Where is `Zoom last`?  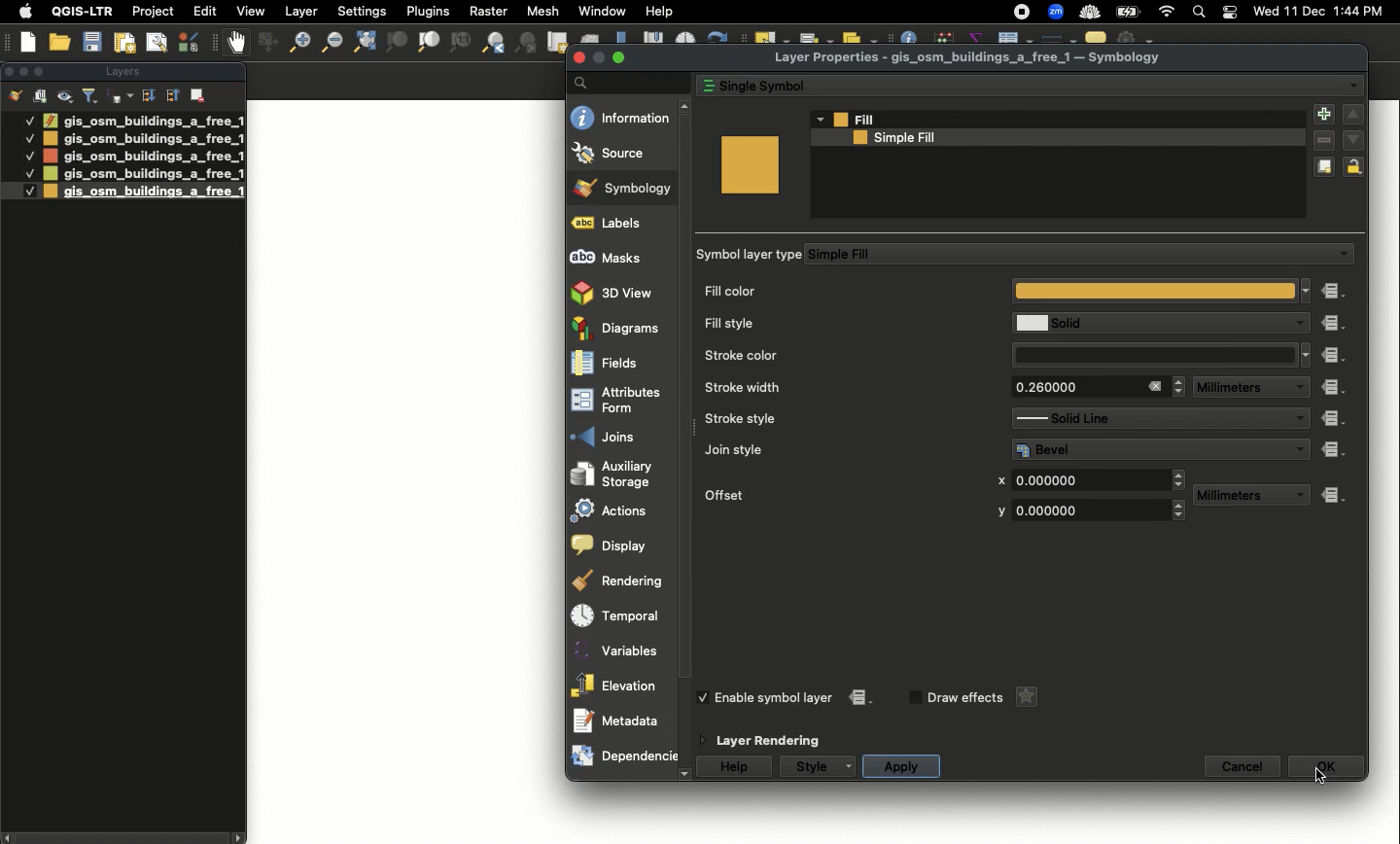
Zoom last is located at coordinates (493, 43).